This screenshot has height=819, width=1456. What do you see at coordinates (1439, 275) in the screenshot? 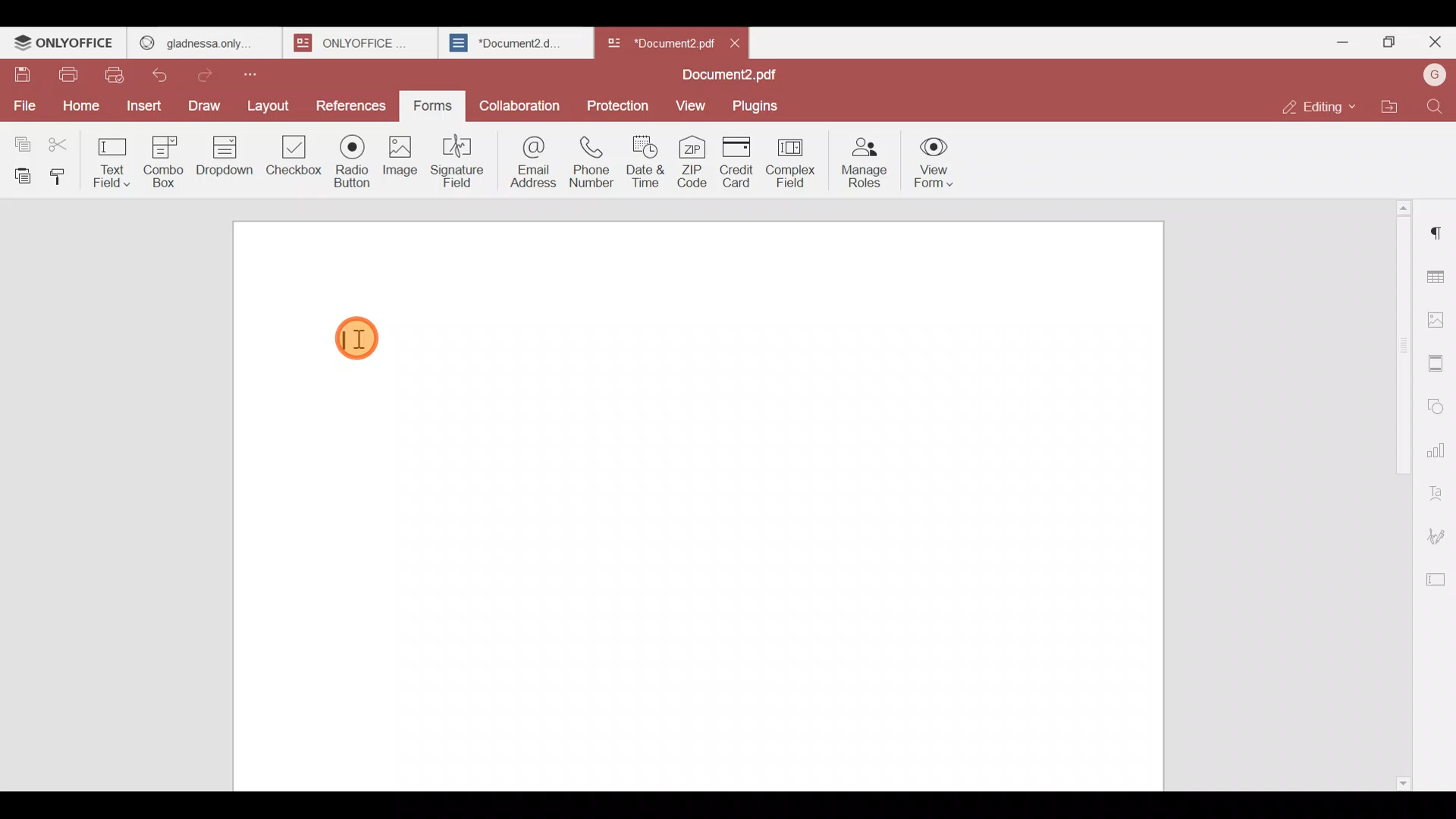
I see `Table settings` at bounding box center [1439, 275].